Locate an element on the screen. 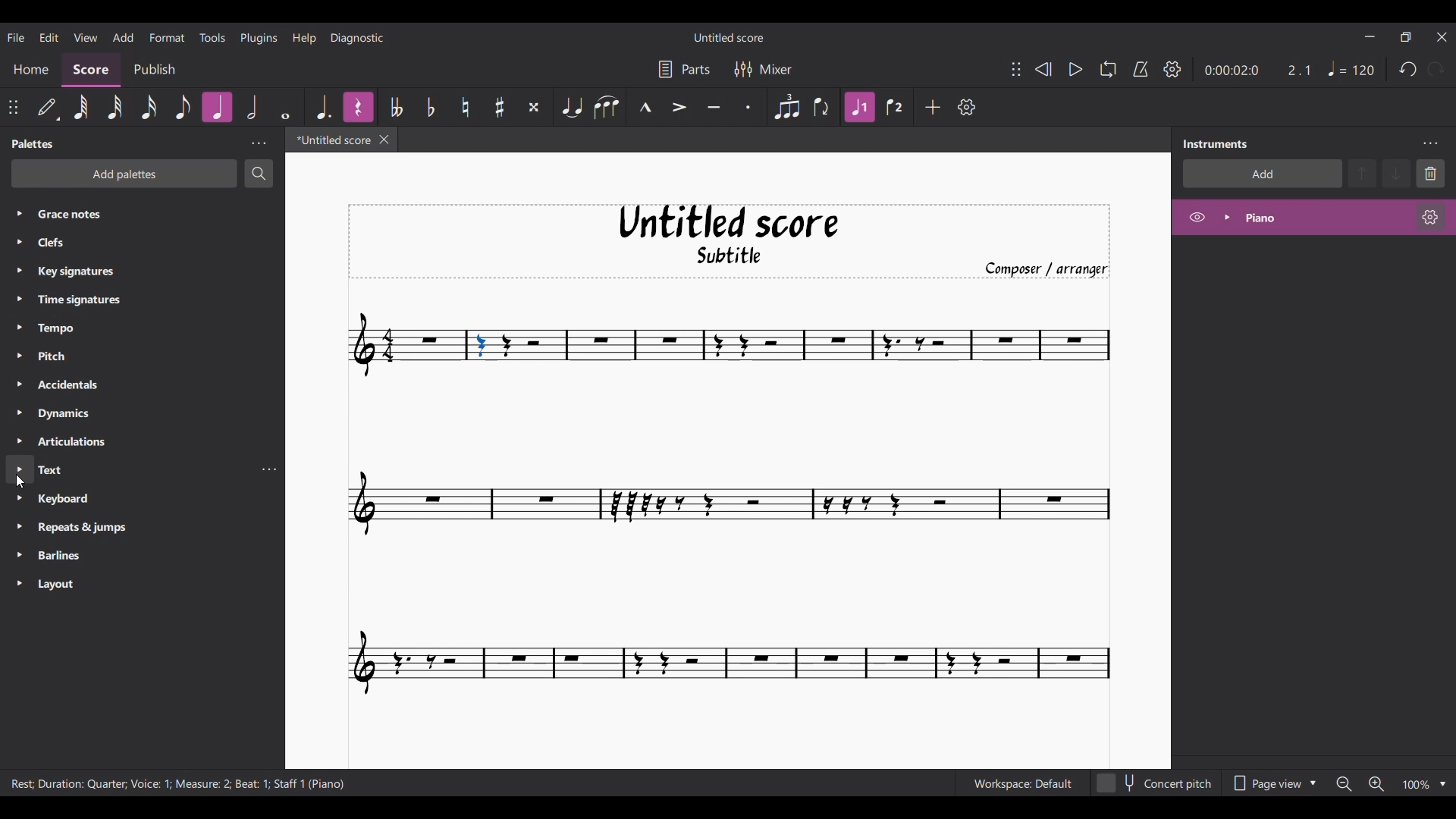 Image resolution: width=1456 pixels, height=819 pixels. Move up is located at coordinates (1362, 173).